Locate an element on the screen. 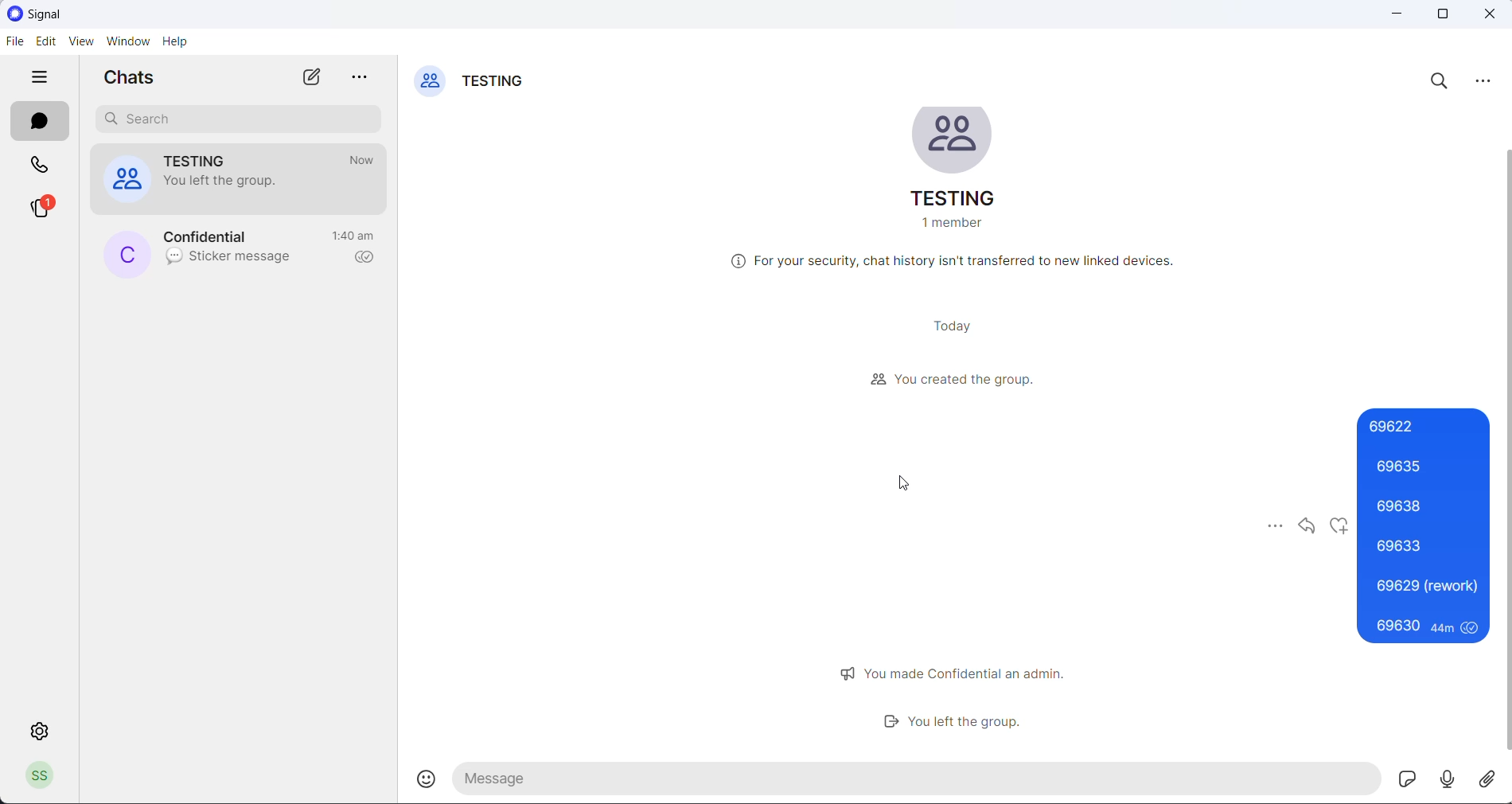 Image resolution: width=1512 pixels, height=804 pixels. group cover photo is located at coordinates (956, 141).